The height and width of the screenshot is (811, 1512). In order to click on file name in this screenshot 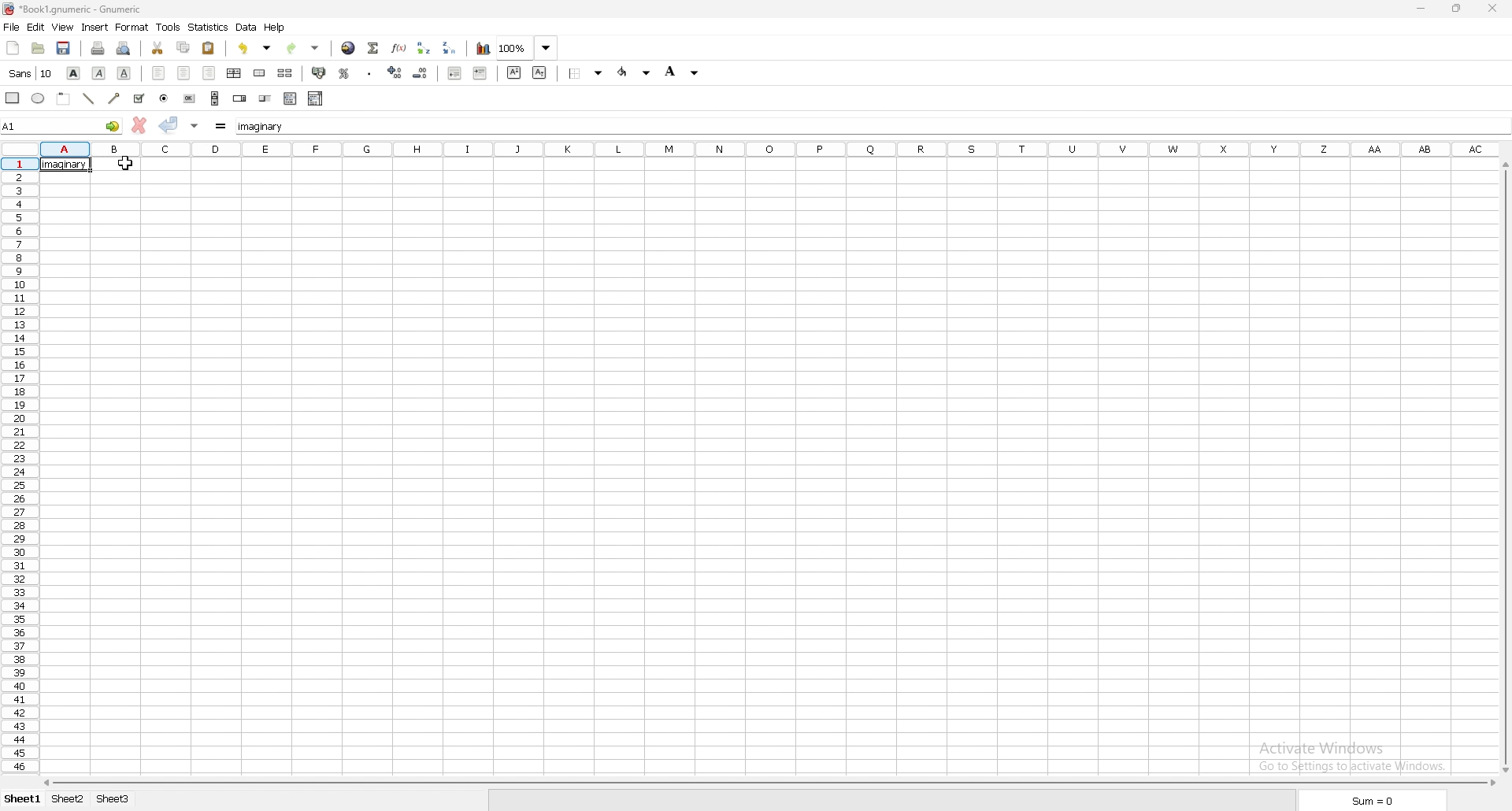, I will do `click(73, 9)`.